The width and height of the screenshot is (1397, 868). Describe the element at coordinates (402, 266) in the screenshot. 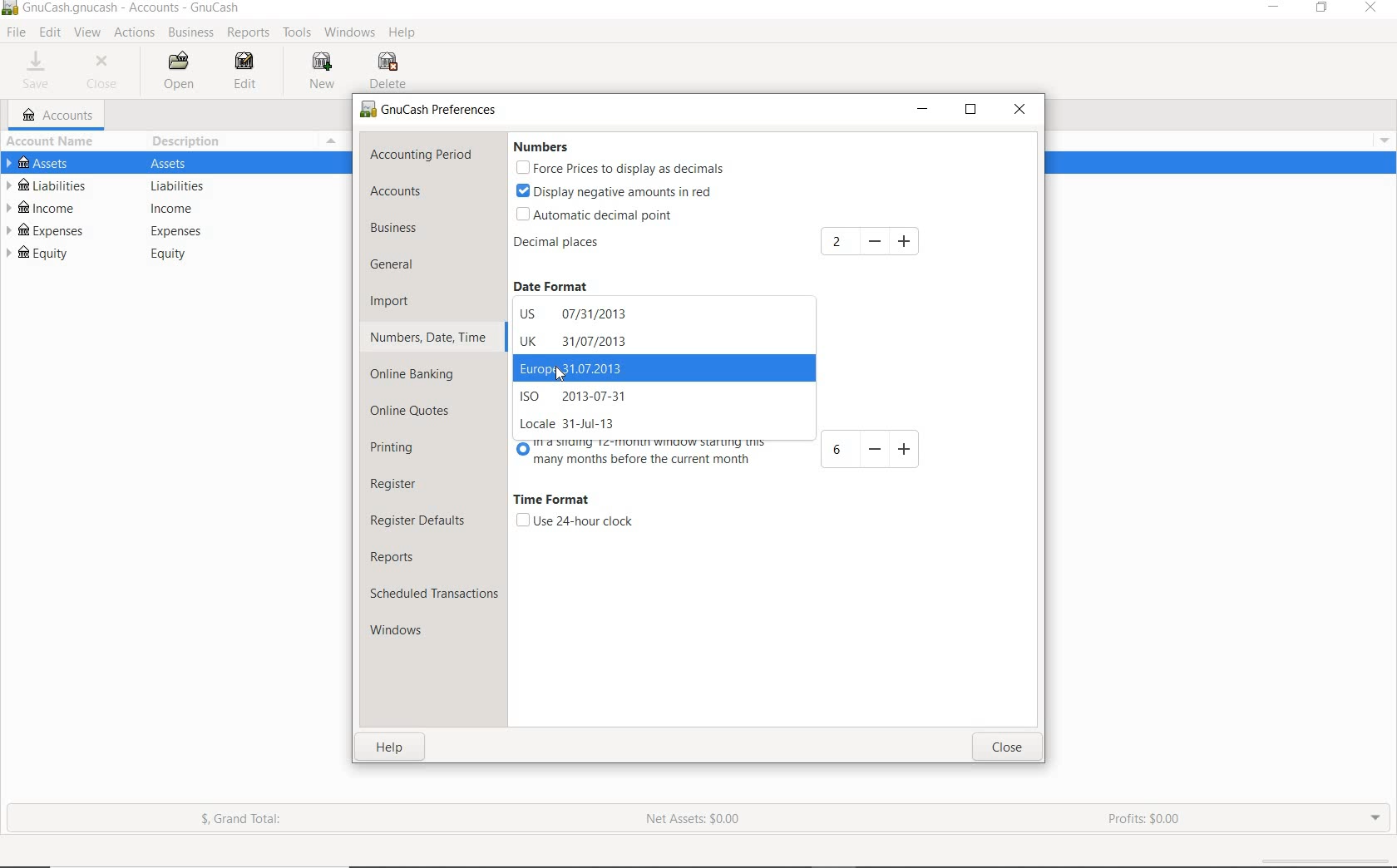

I see `general` at that location.